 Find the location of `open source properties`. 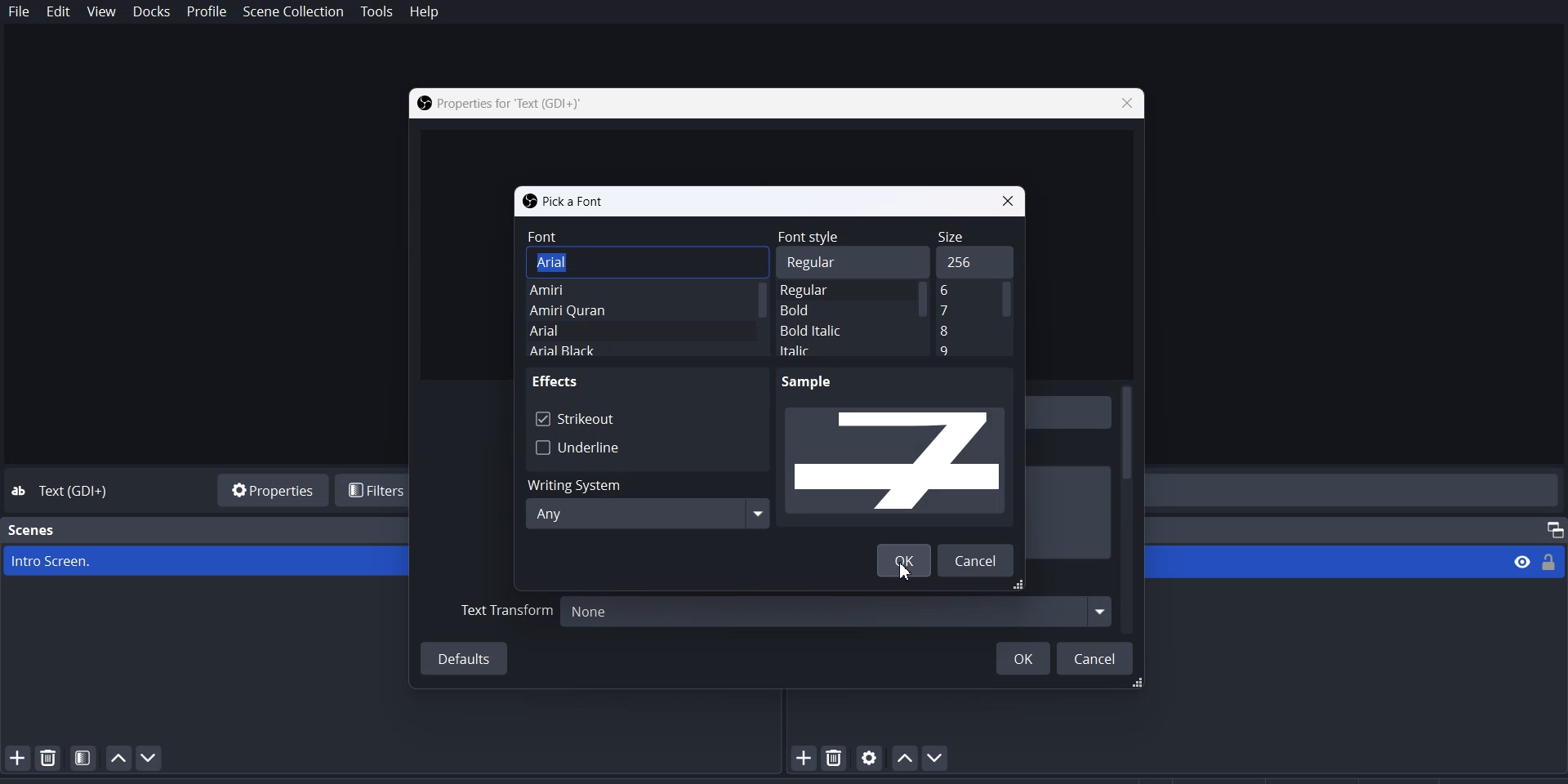

open source properties is located at coordinates (870, 757).